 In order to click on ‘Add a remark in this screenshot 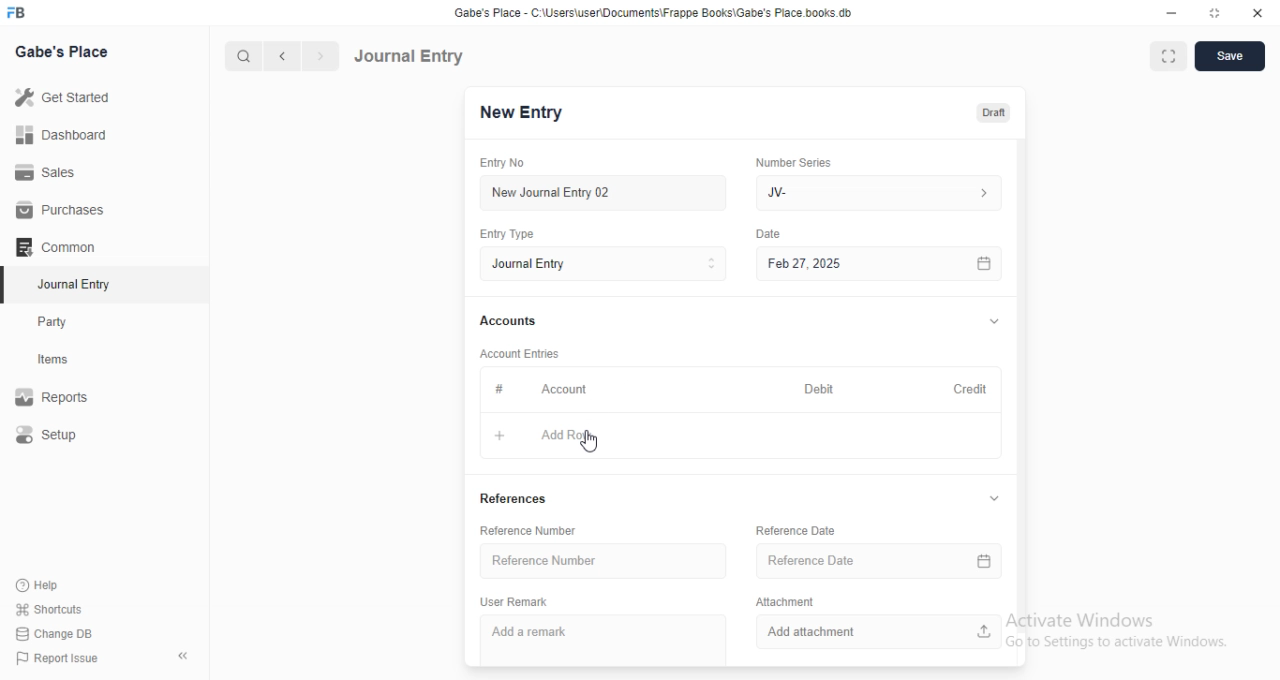, I will do `click(604, 636)`.